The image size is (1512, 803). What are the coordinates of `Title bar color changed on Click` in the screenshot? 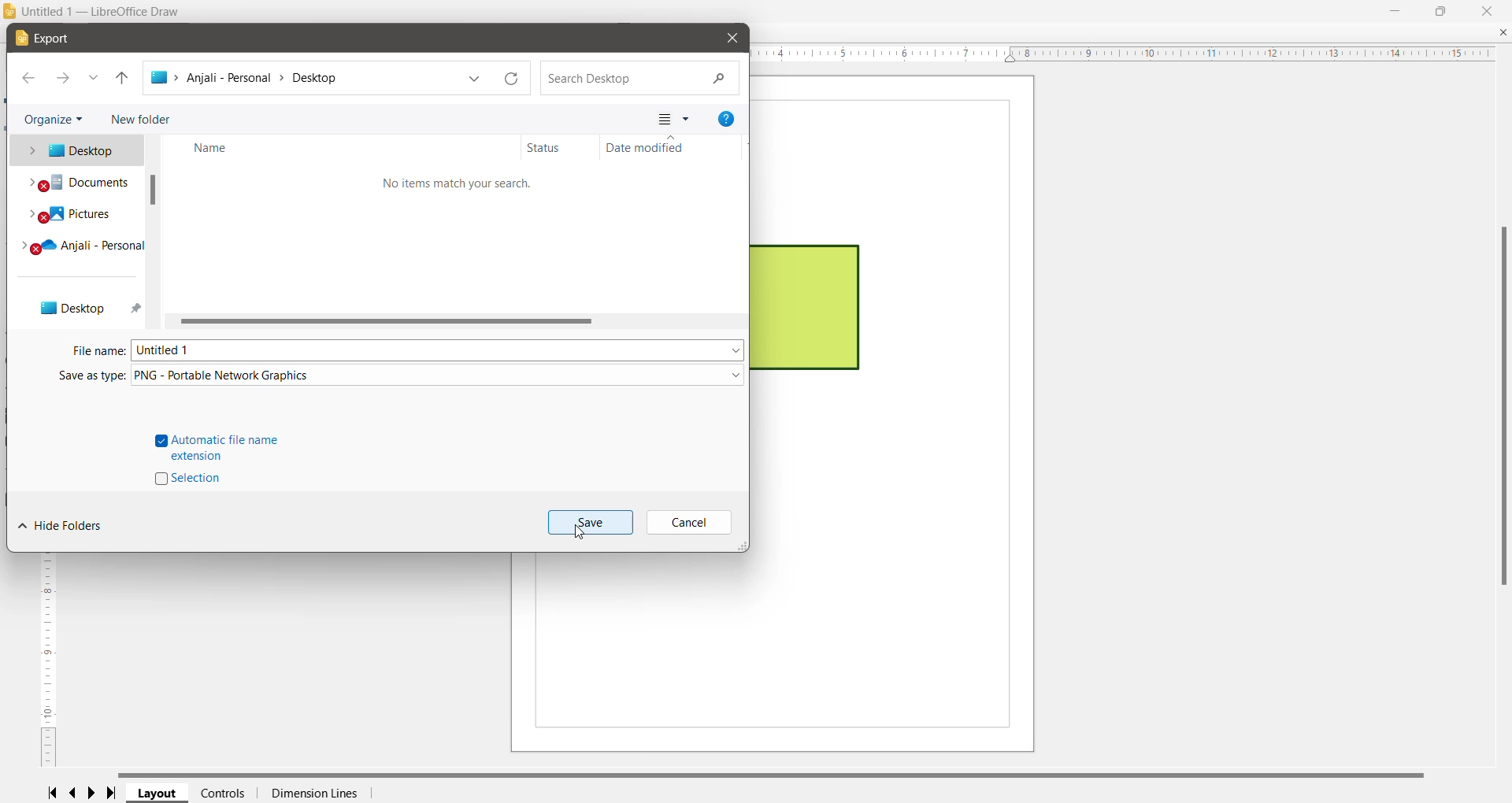 It's located at (779, 12).